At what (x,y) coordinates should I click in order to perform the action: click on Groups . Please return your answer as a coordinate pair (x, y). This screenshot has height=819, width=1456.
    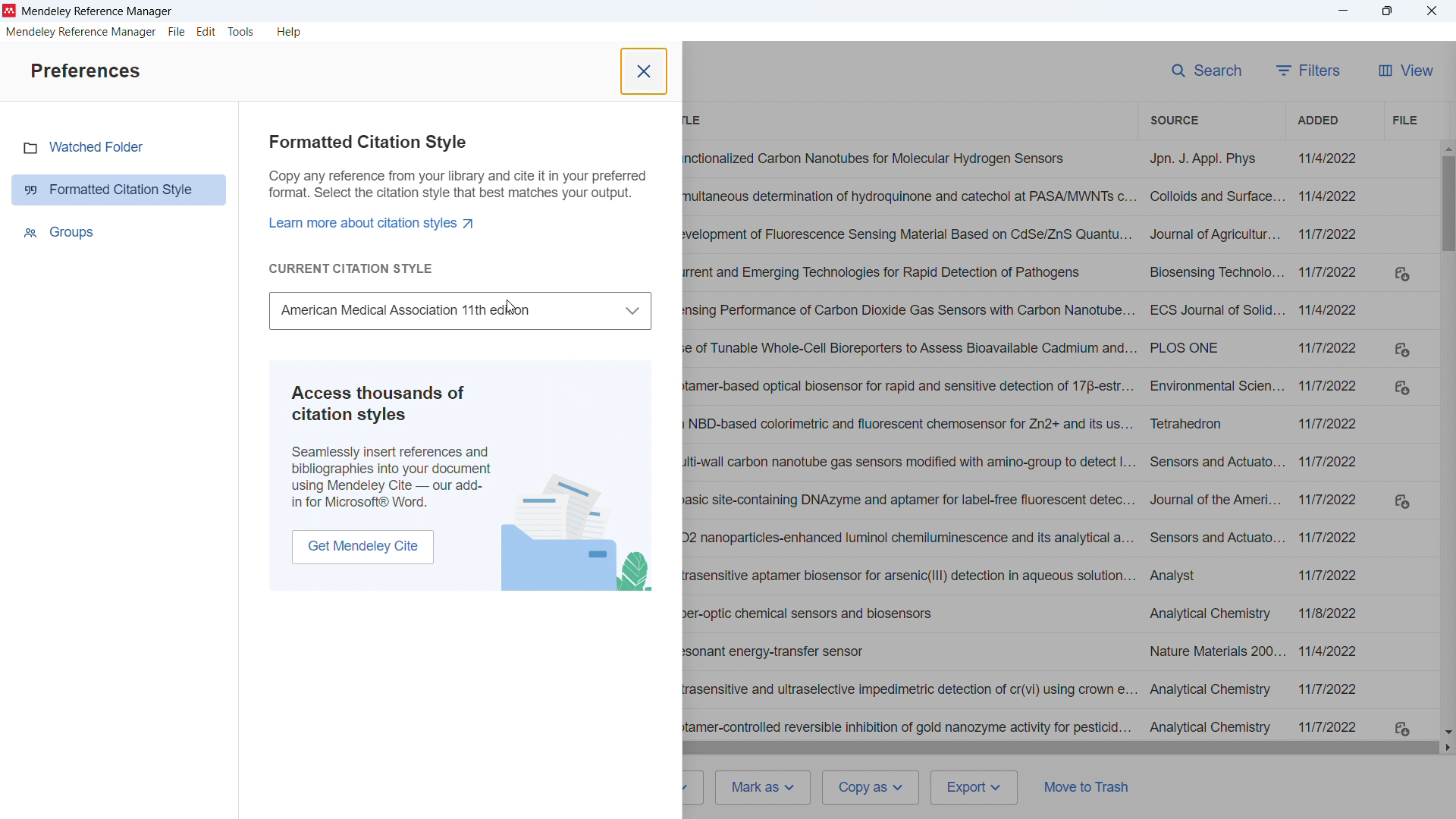
    Looking at the image, I should click on (62, 233).